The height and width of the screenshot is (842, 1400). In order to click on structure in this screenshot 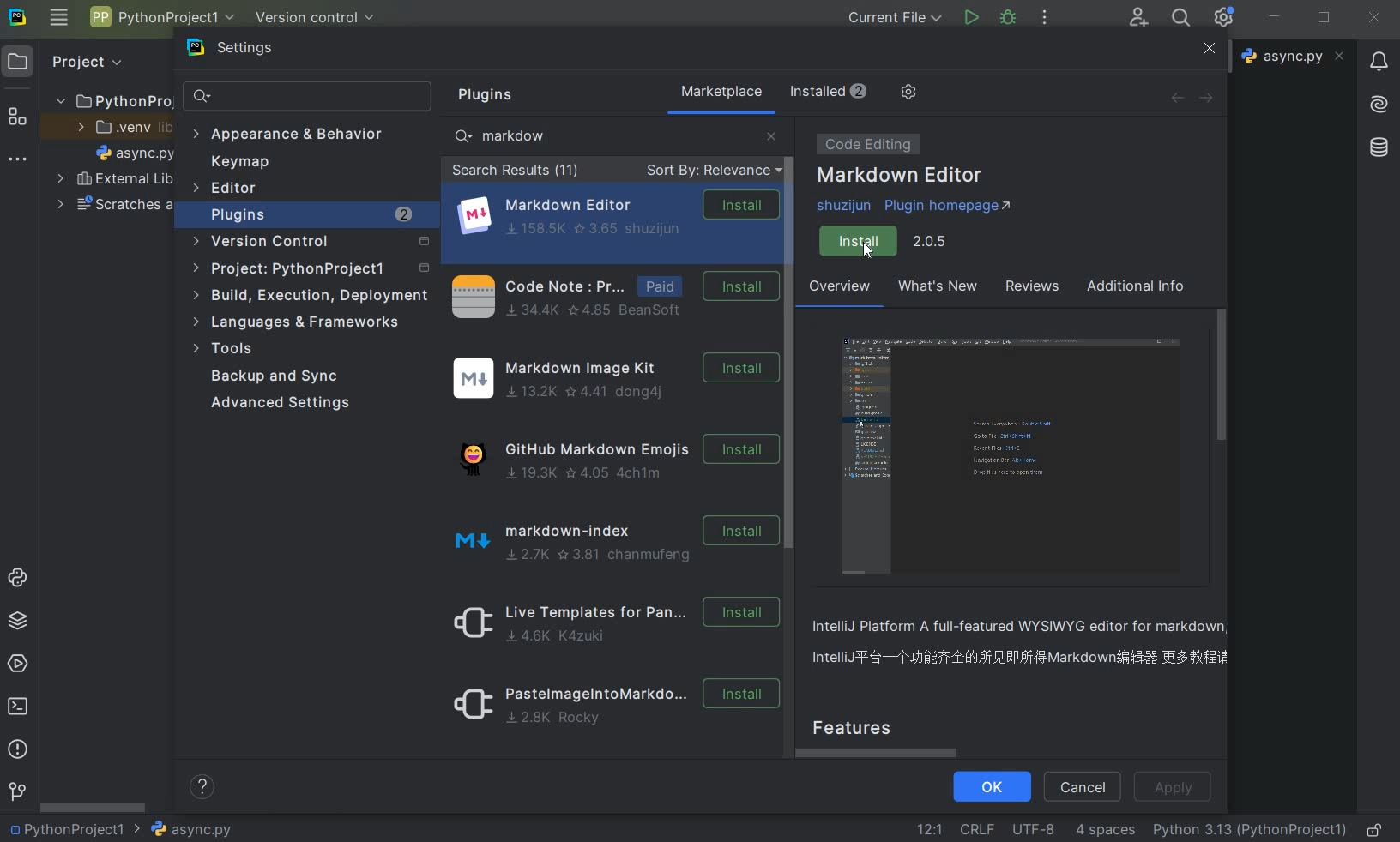, I will do `click(18, 114)`.